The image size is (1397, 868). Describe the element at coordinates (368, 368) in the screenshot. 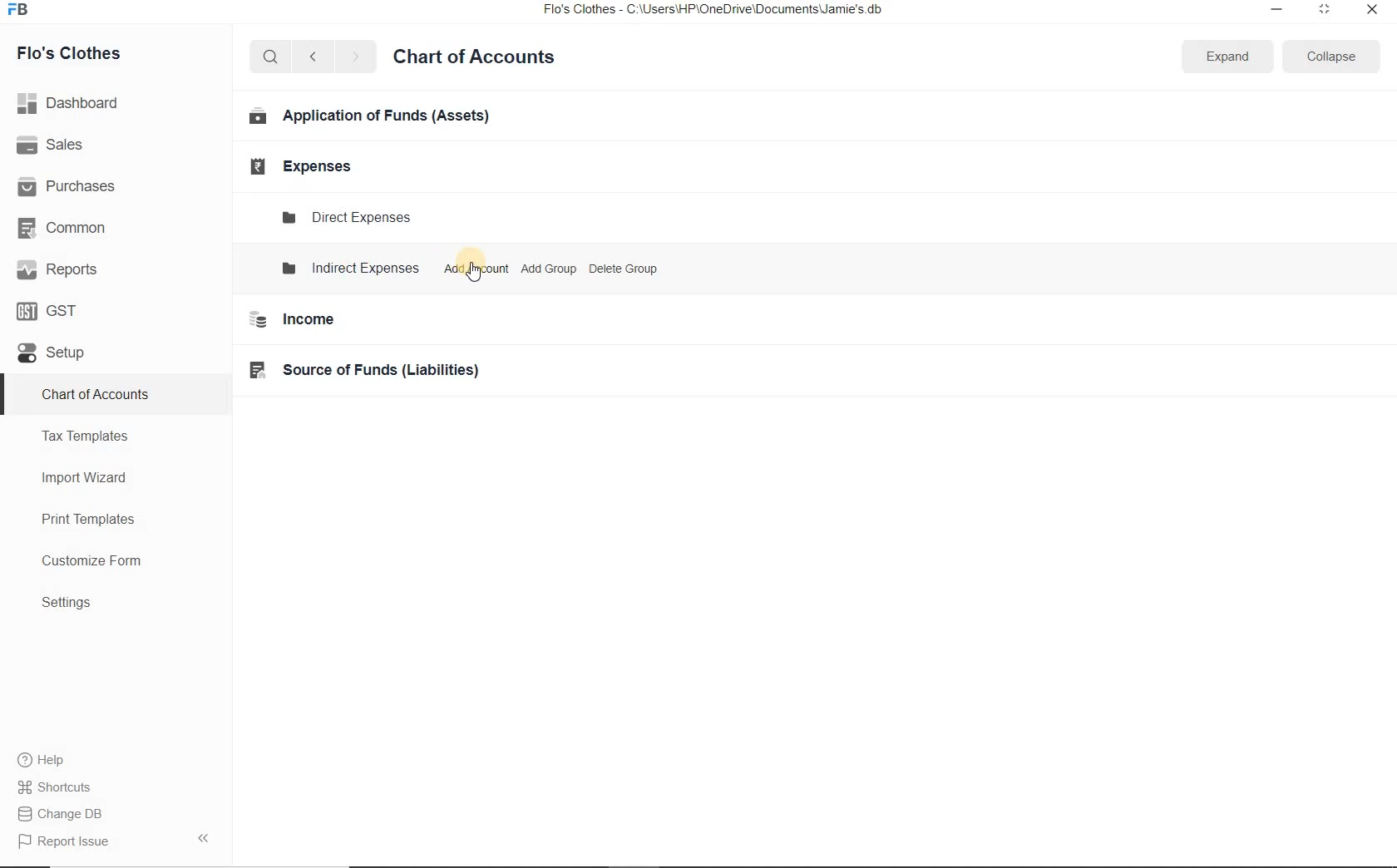

I see `Source of Funds (Liabilities)` at that location.